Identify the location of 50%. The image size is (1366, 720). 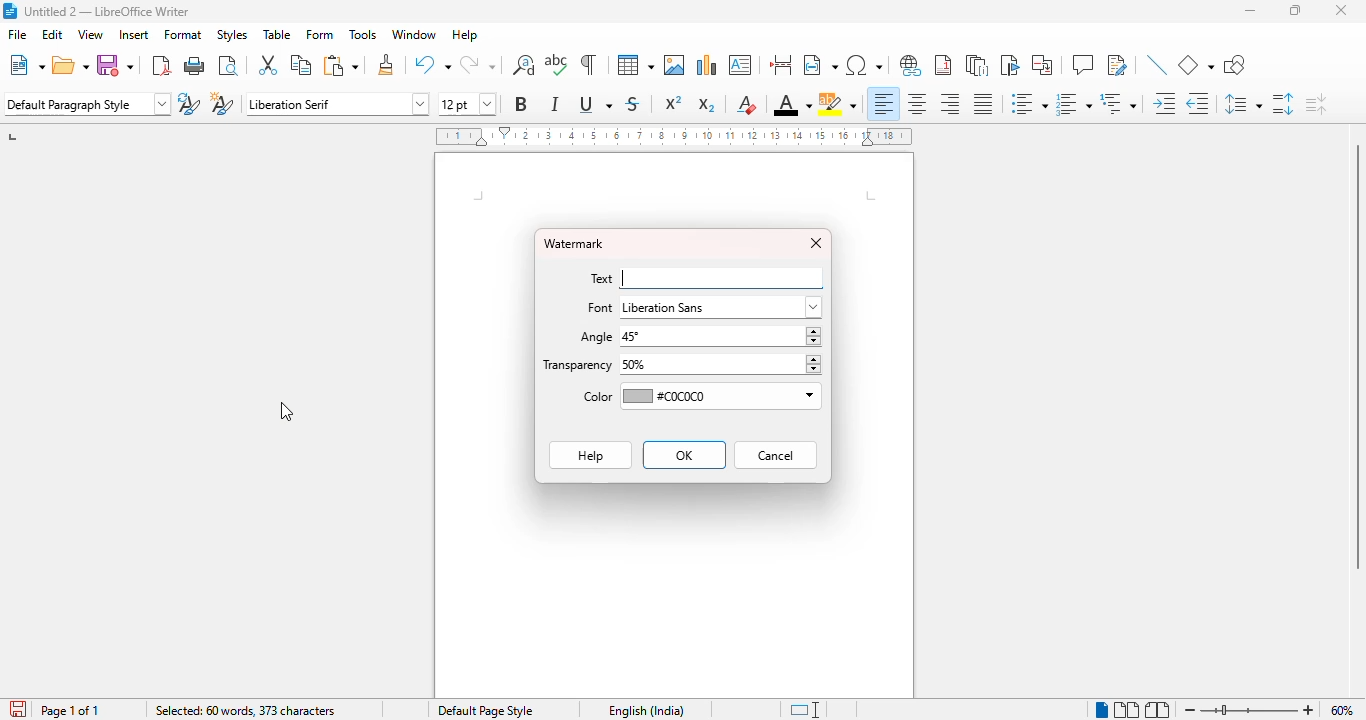
(719, 365).